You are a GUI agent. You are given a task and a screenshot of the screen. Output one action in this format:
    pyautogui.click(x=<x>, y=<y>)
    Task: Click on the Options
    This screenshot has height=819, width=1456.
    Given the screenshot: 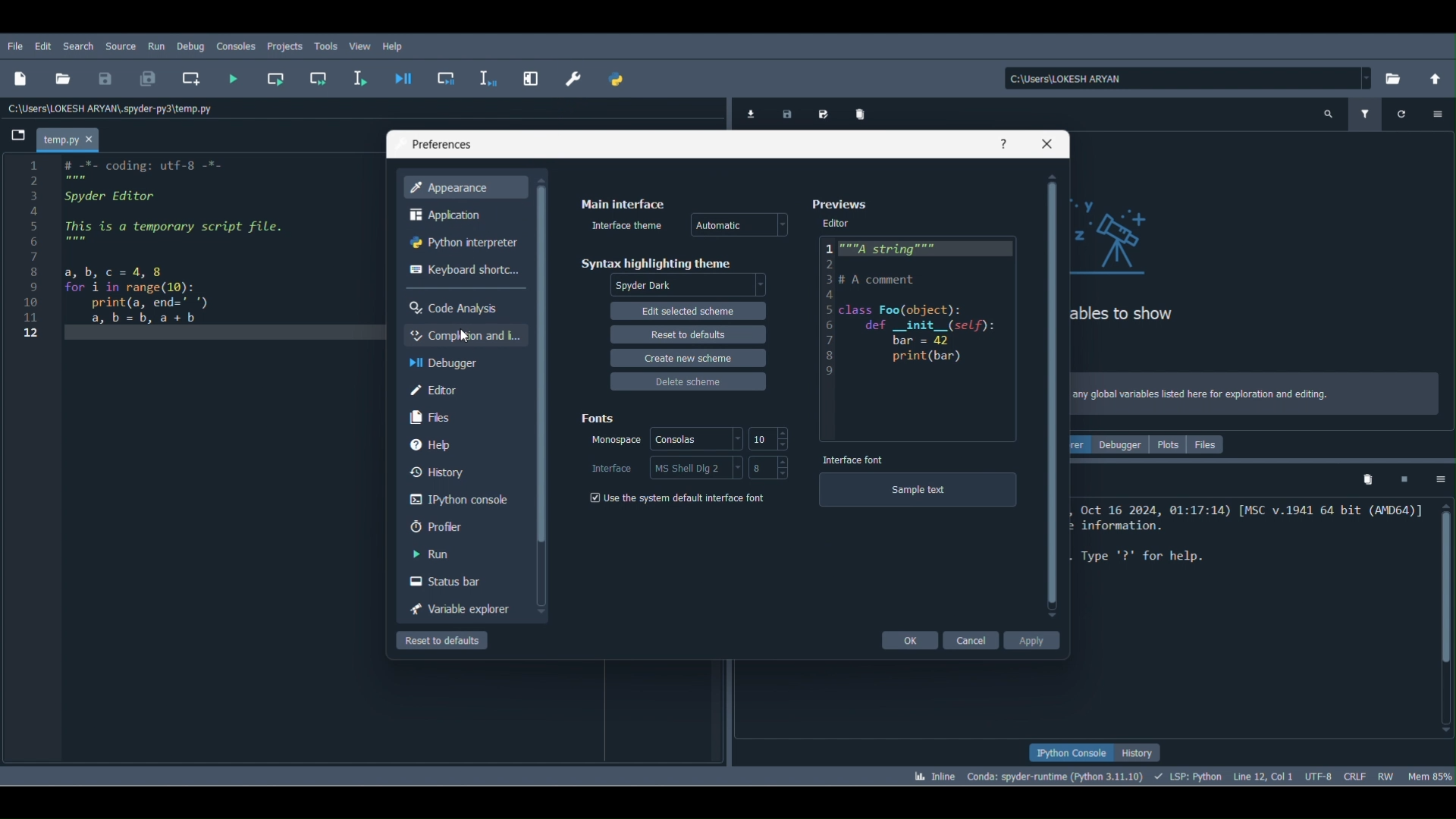 What is the action you would take?
    pyautogui.click(x=1435, y=478)
    